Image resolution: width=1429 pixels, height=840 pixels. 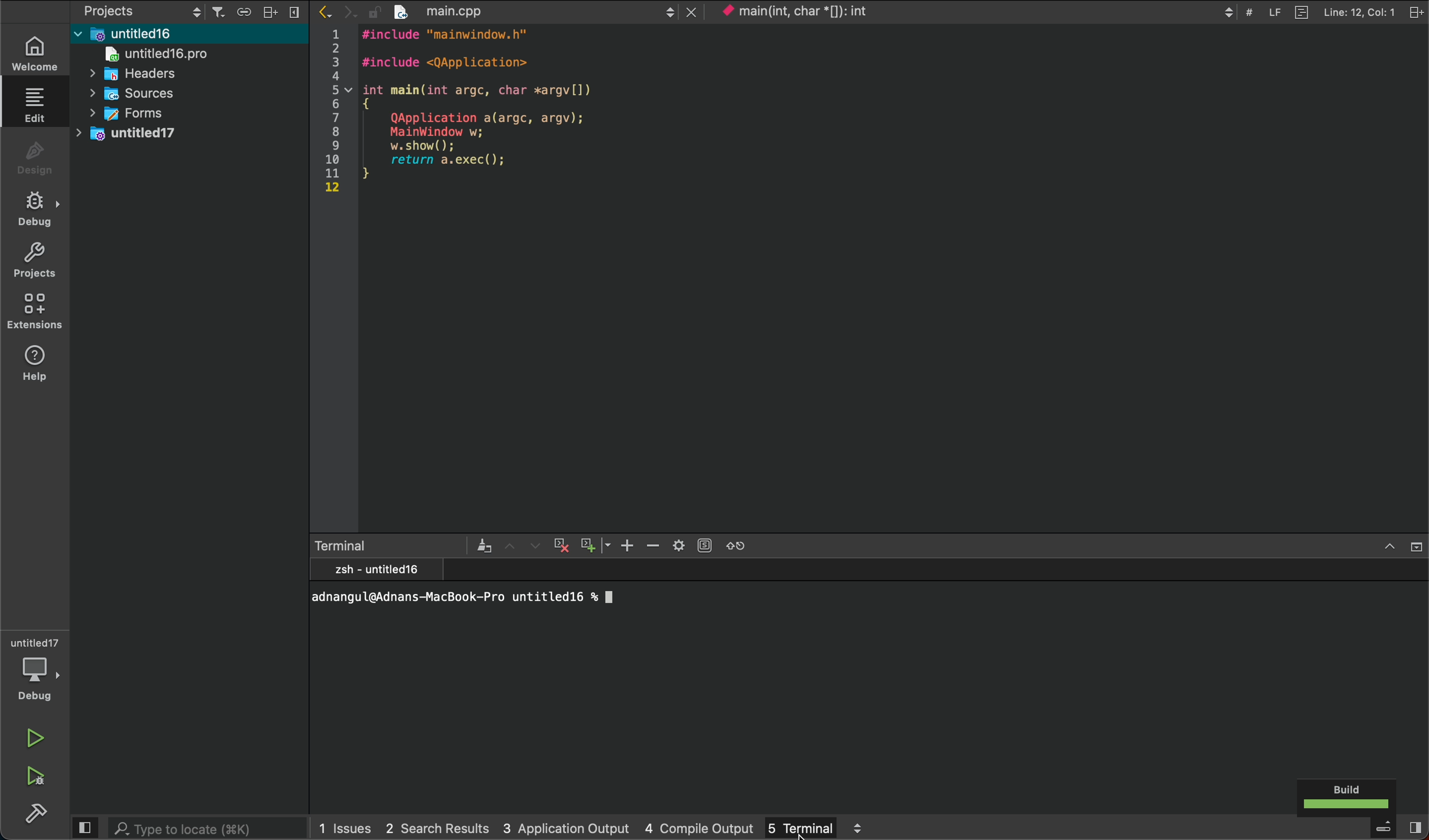 What do you see at coordinates (274, 10) in the screenshot?
I see `layout` at bounding box center [274, 10].